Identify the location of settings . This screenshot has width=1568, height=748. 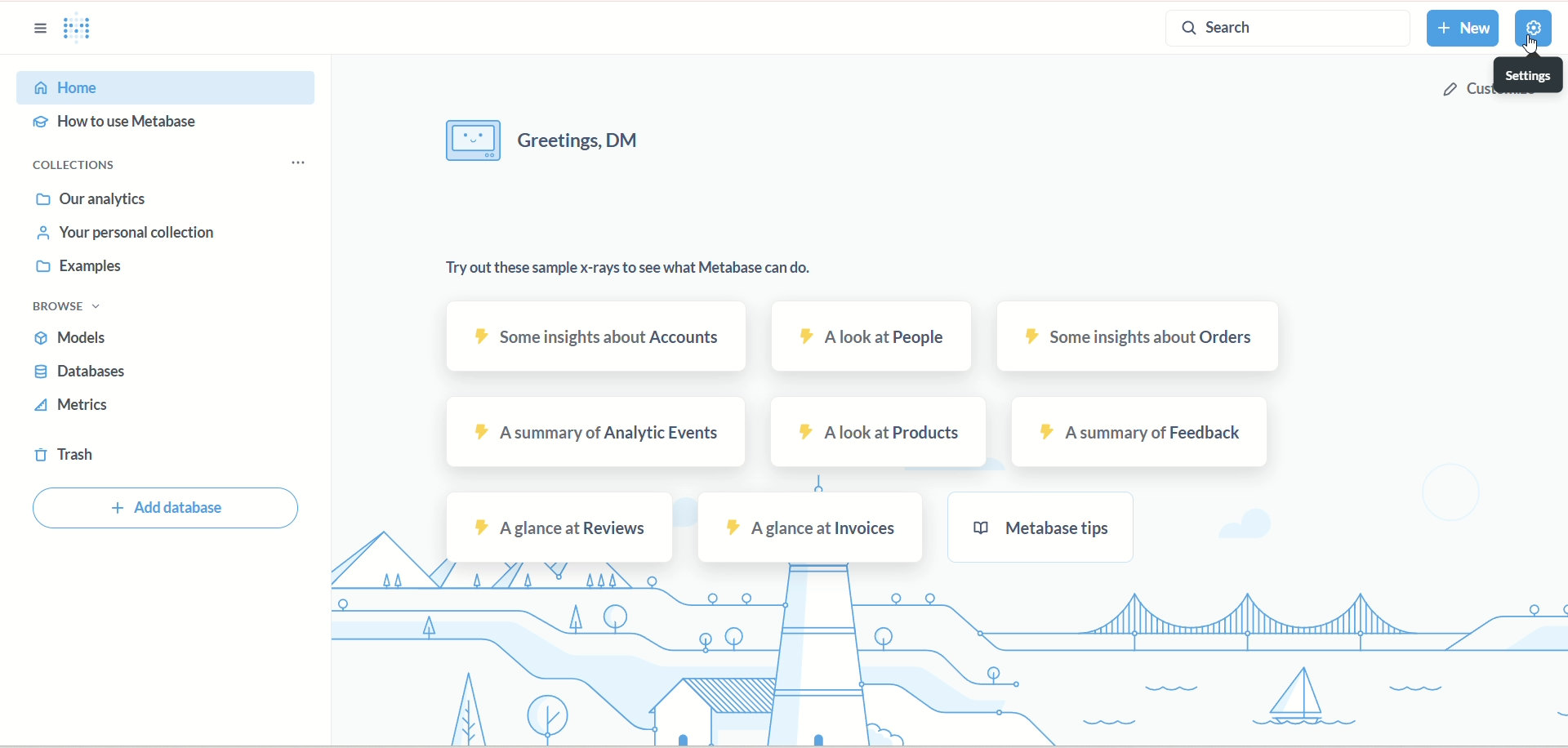
(1531, 74).